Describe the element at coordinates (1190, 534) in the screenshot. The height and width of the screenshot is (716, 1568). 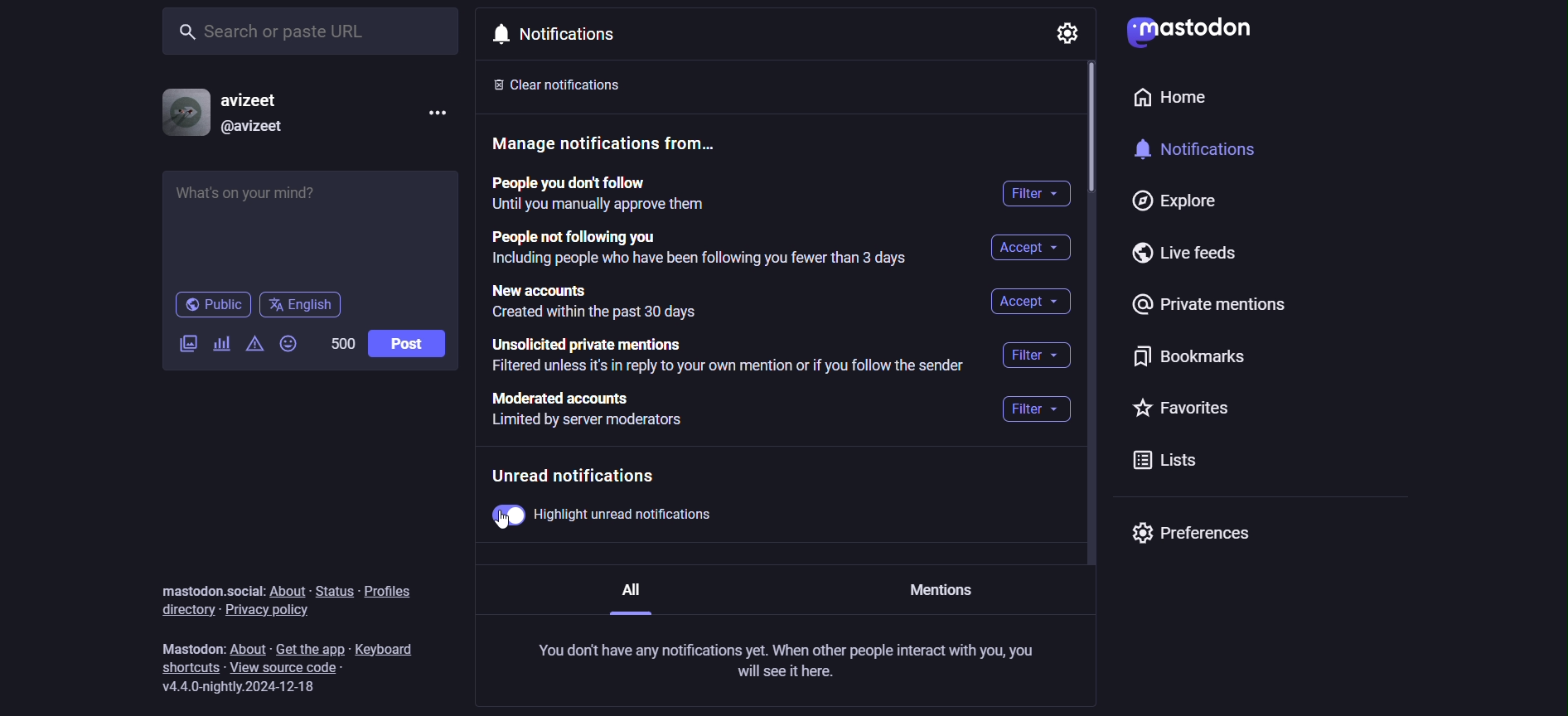
I see `preferences` at that location.